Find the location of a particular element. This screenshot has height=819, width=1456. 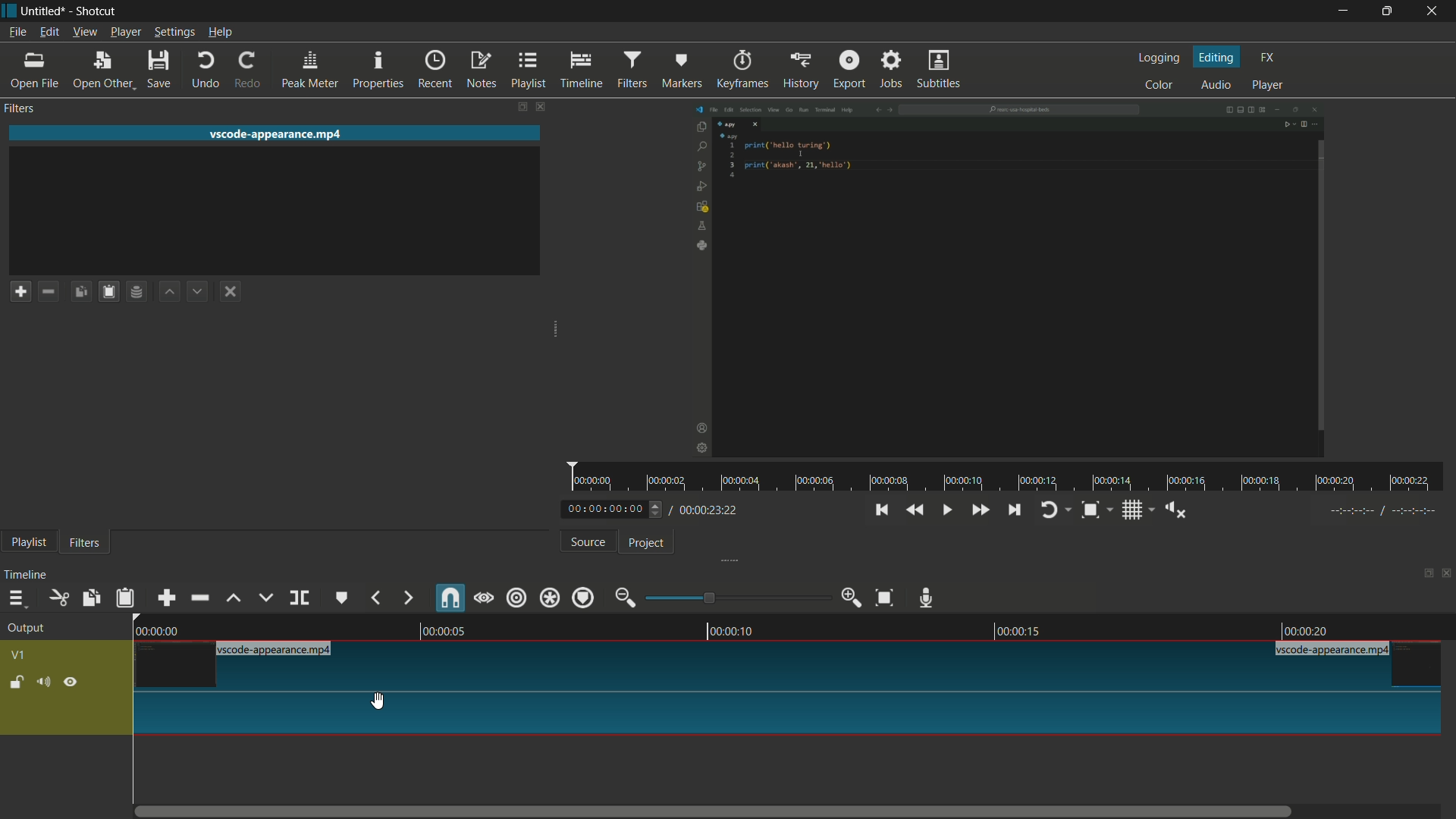

expand is located at coordinates (547, 331).